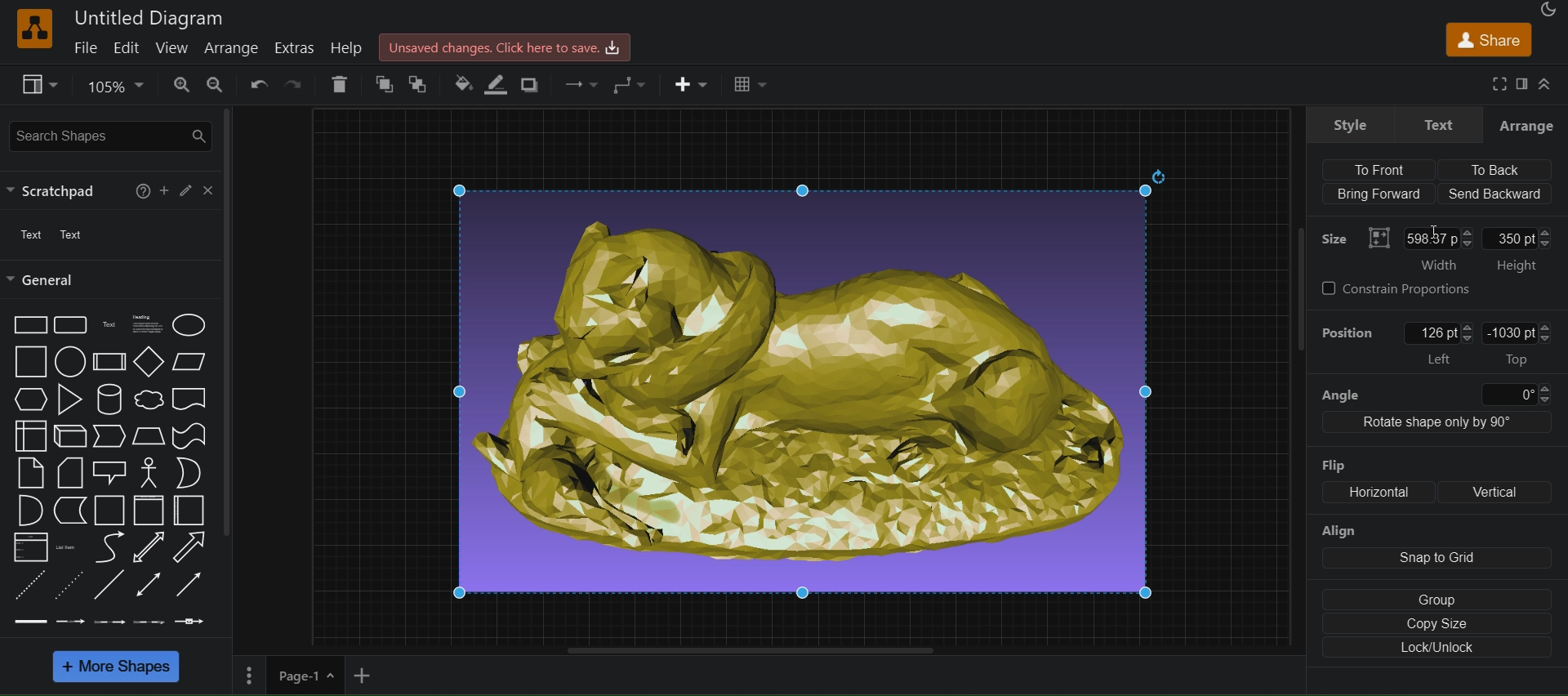 The width and height of the screenshot is (1568, 696). What do you see at coordinates (1437, 649) in the screenshot?
I see `lock/unlock` at bounding box center [1437, 649].